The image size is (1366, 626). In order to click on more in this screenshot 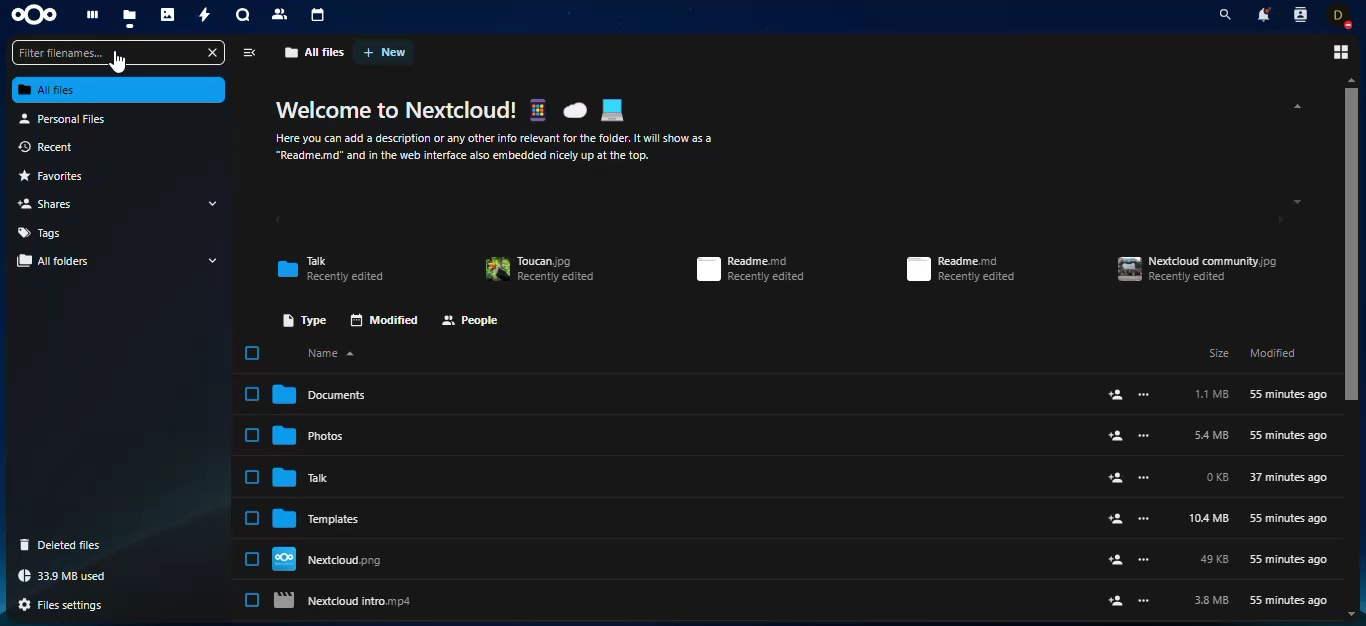, I will do `click(1143, 560)`.